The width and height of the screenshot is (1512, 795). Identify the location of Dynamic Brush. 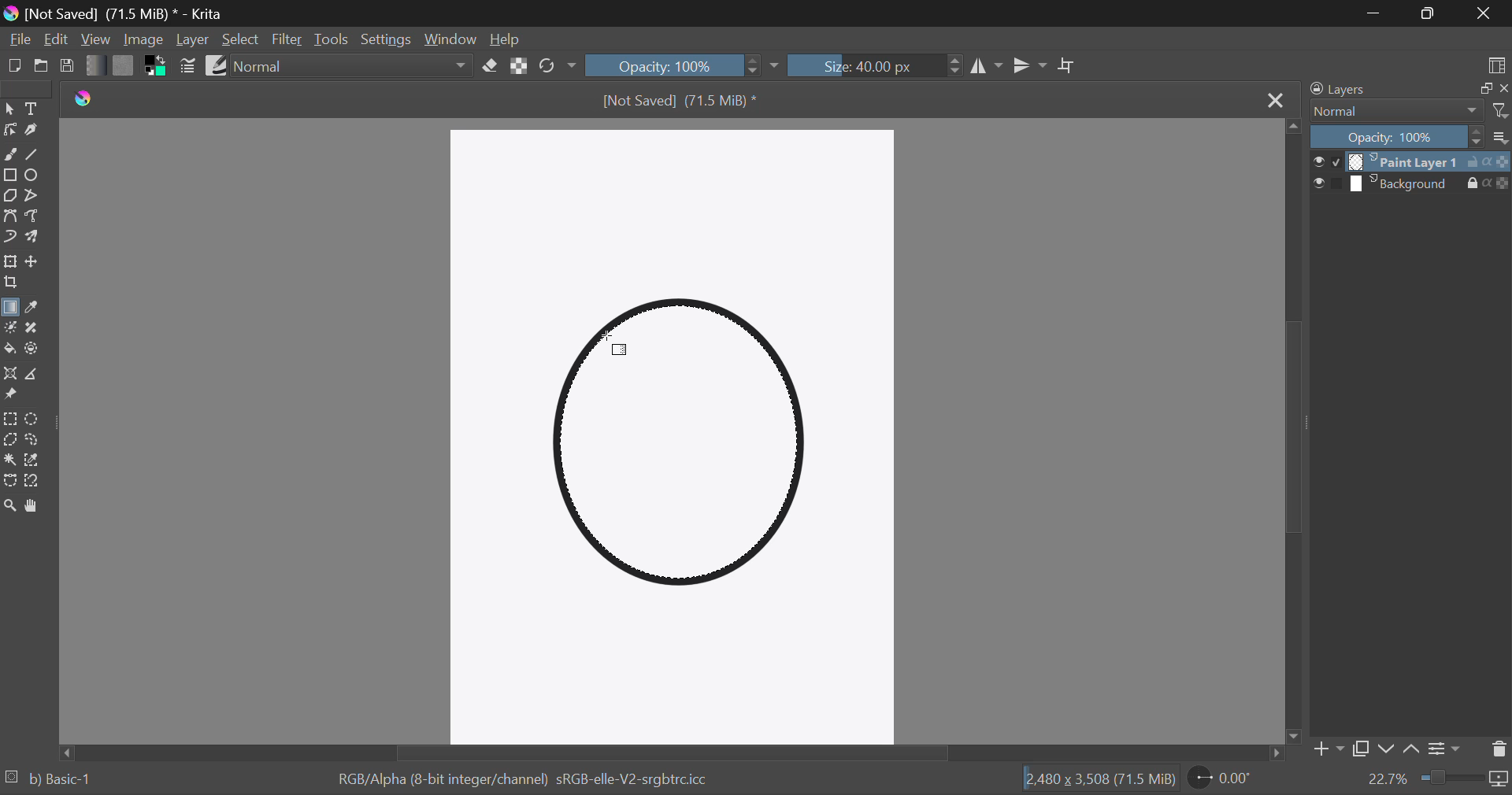
(10, 238).